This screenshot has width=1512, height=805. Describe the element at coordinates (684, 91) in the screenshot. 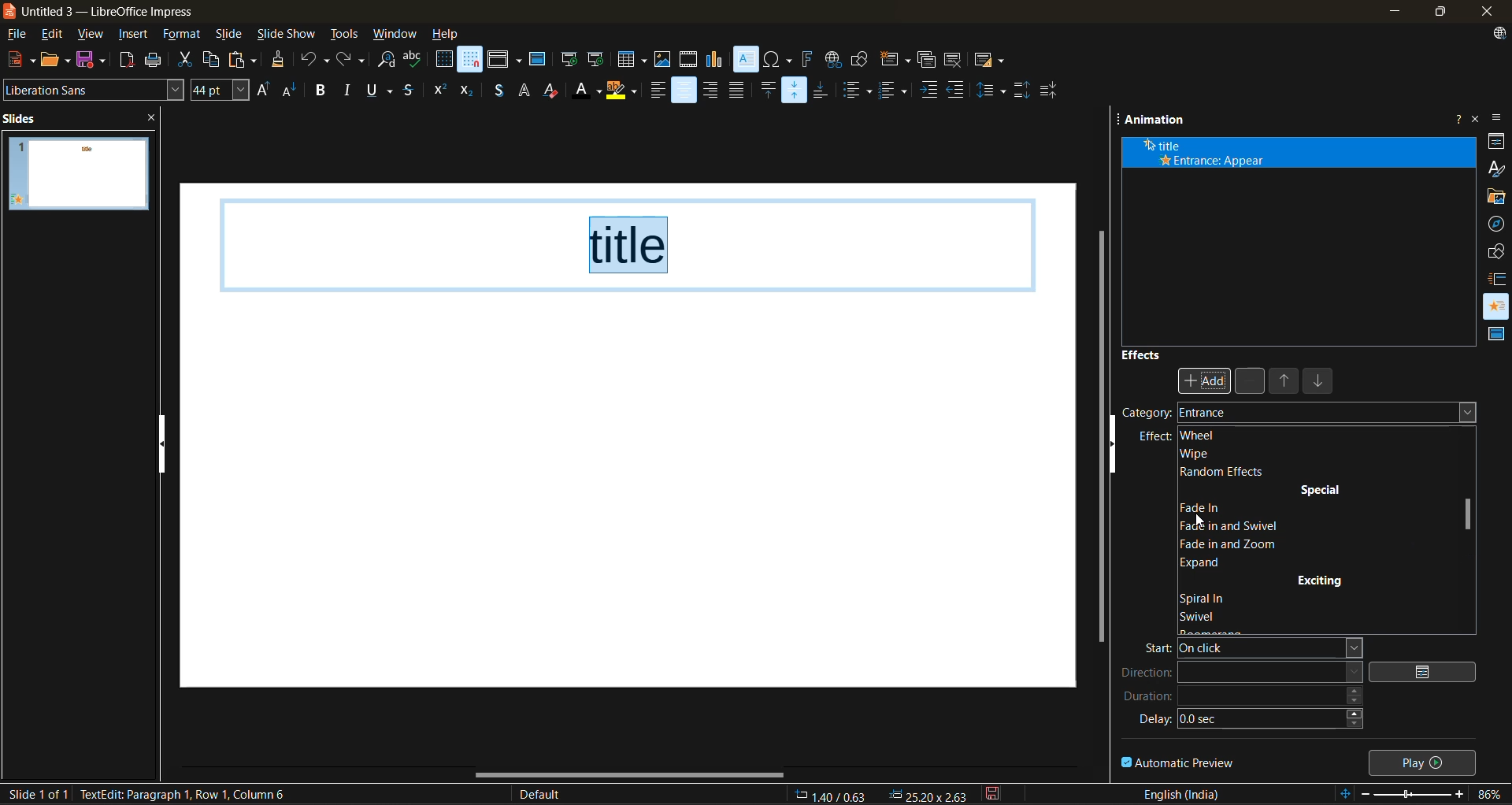

I see `align center` at that location.